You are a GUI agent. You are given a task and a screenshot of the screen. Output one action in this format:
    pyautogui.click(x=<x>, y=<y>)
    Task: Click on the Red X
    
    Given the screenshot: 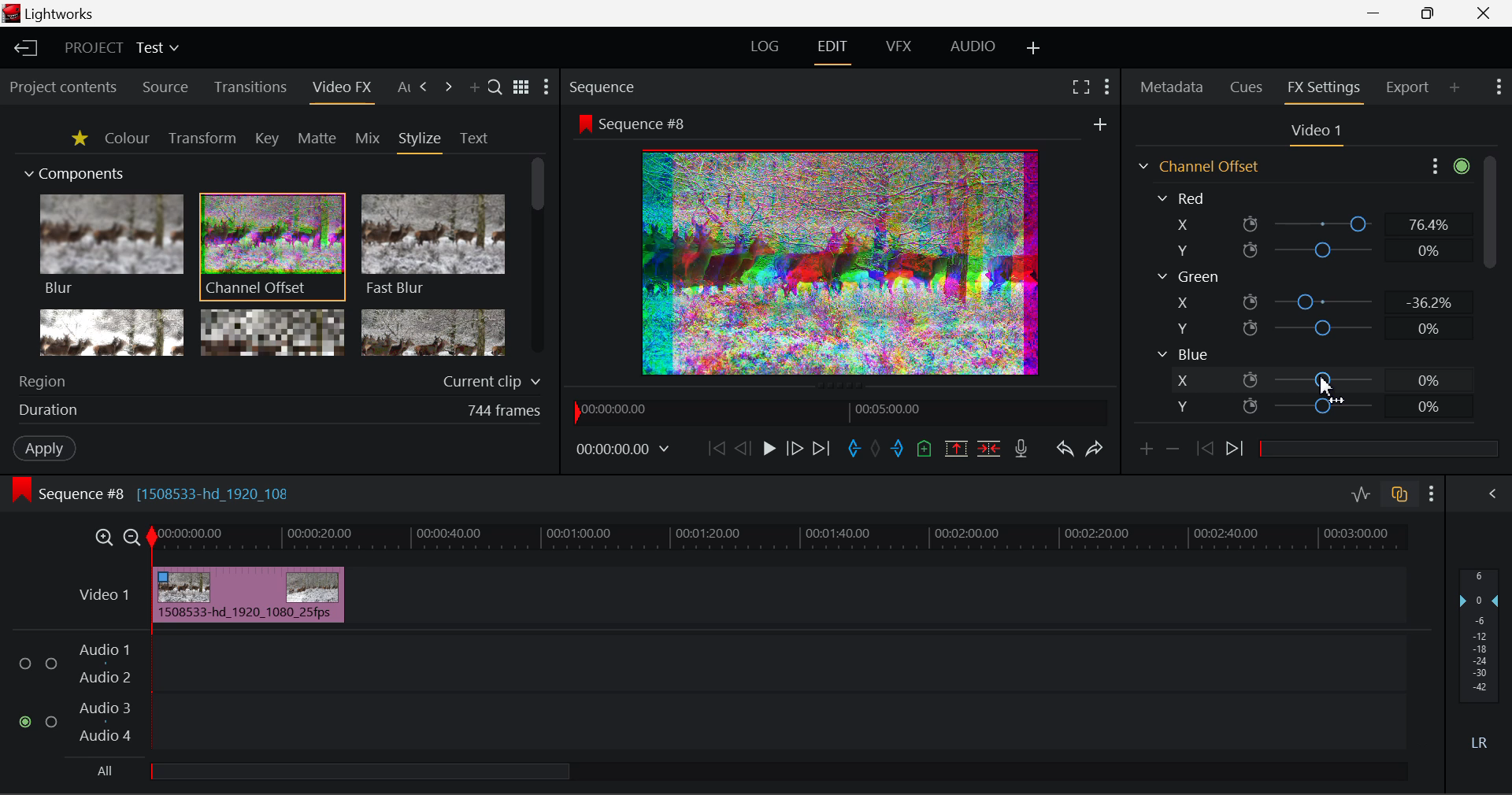 What is the action you would take?
    pyautogui.click(x=1309, y=224)
    